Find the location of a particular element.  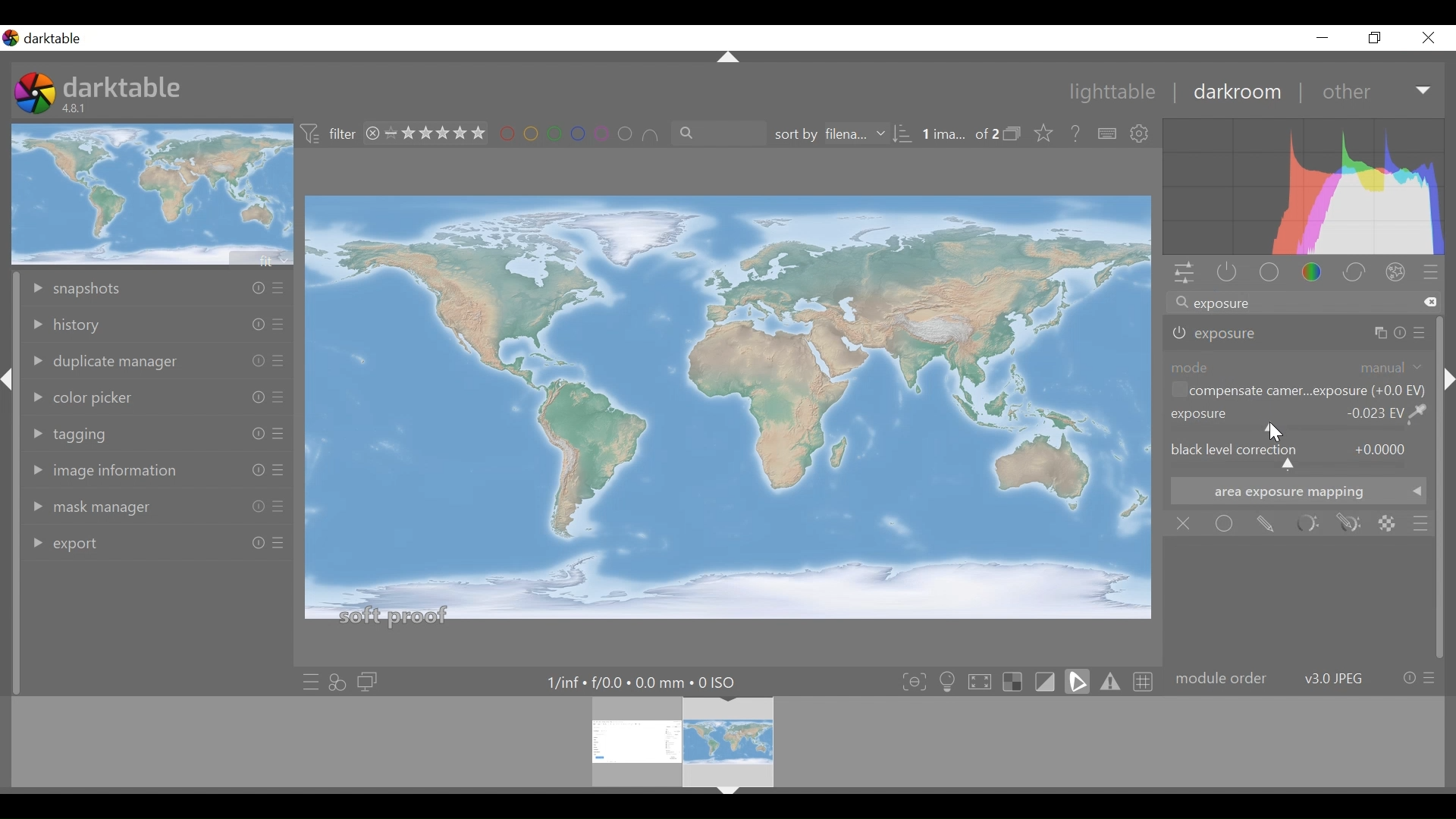

toggle indication of raw overexposure is located at coordinates (1017, 681).